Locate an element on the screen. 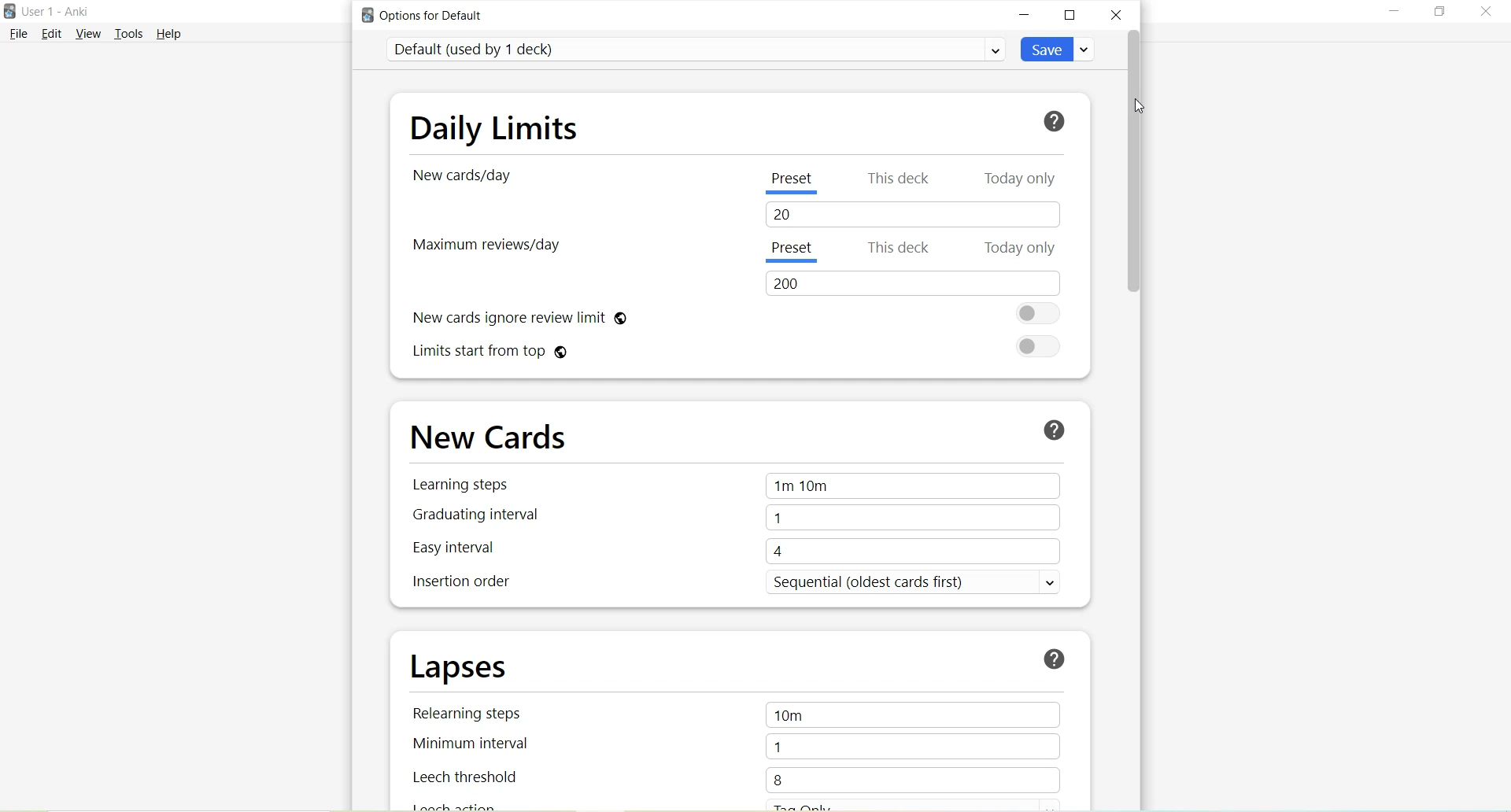 The height and width of the screenshot is (812, 1511). Help is located at coordinates (169, 33).